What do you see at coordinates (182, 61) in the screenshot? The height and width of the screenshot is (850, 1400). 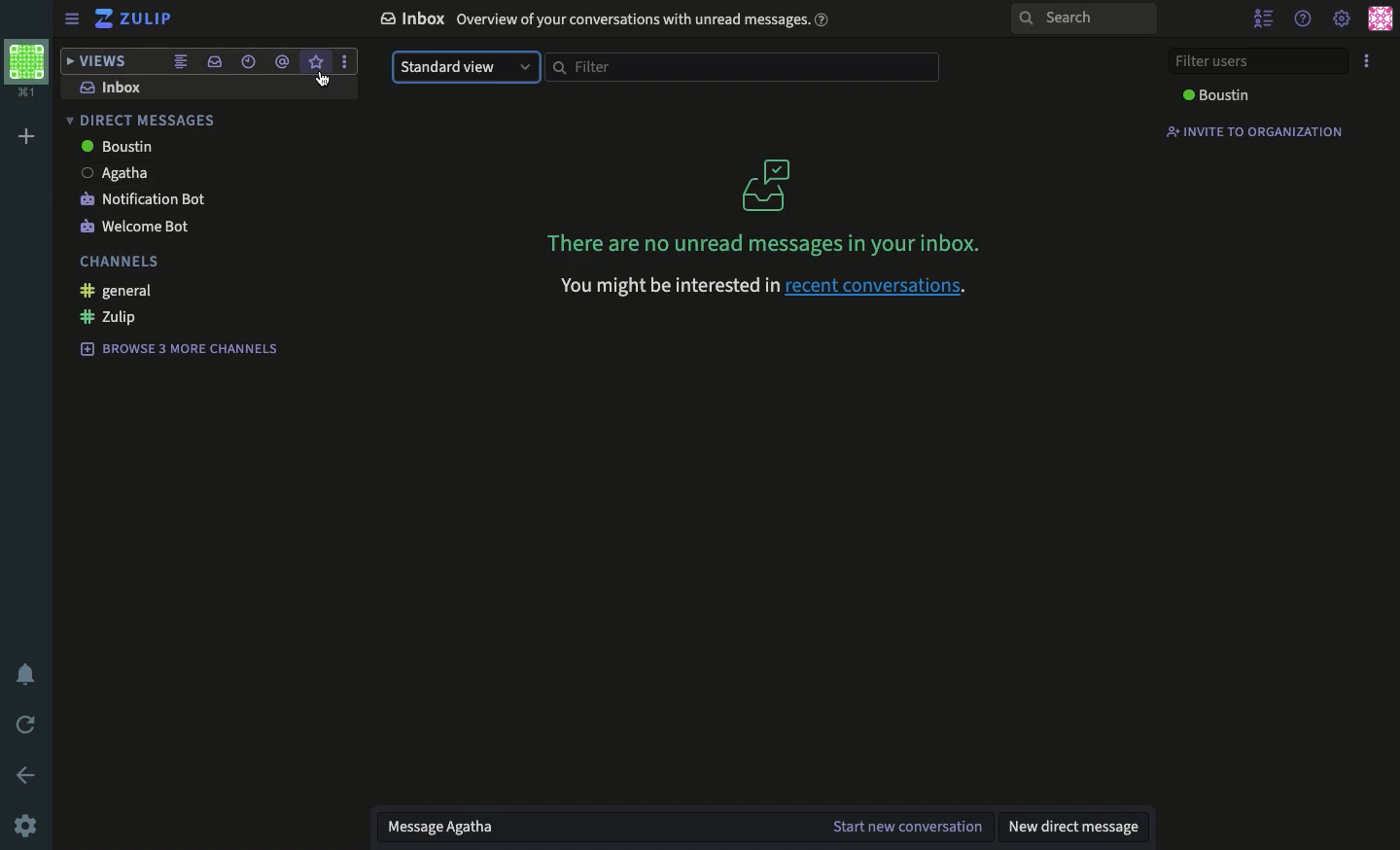 I see `combined feed` at bounding box center [182, 61].